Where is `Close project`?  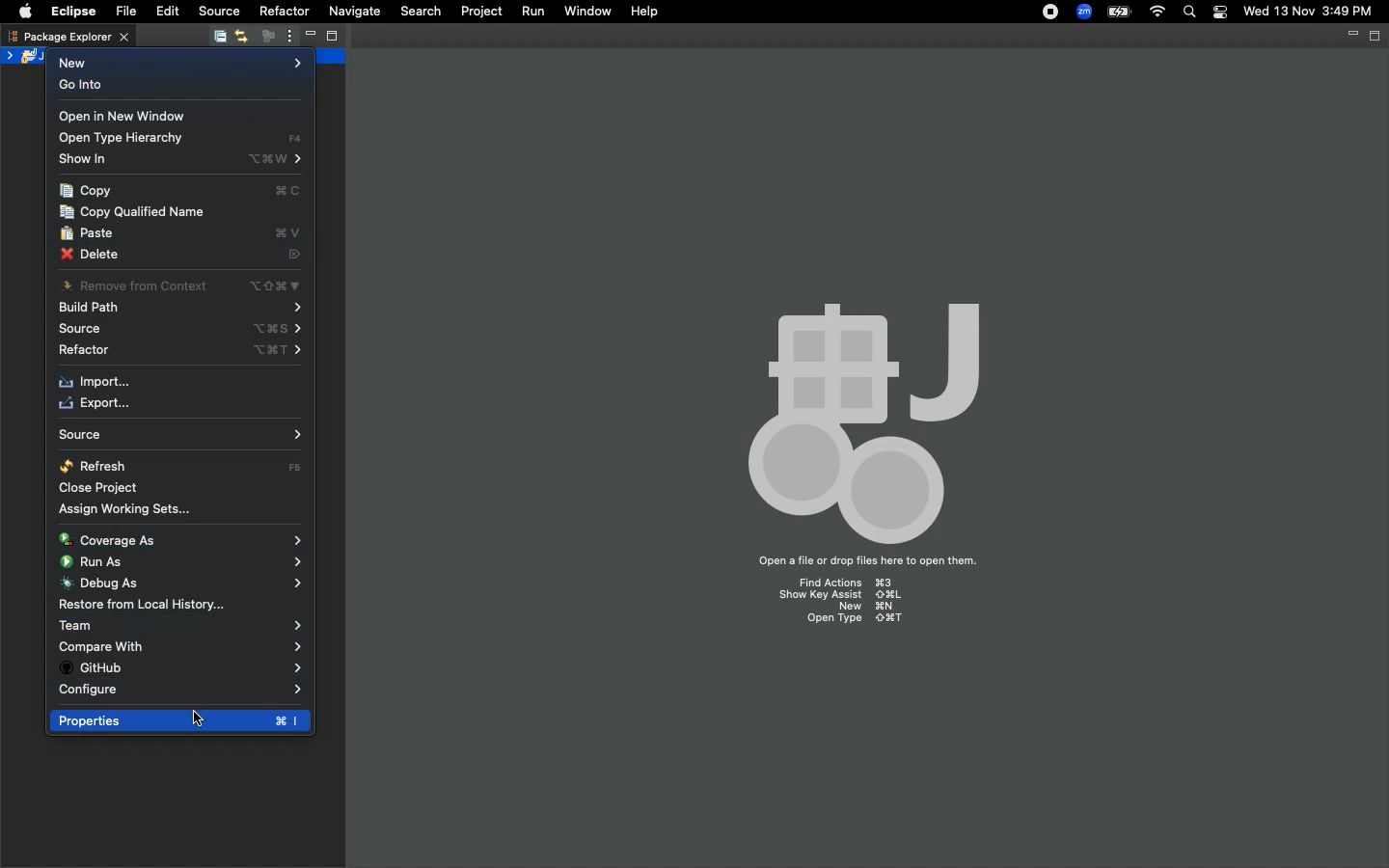 Close project is located at coordinates (95, 488).